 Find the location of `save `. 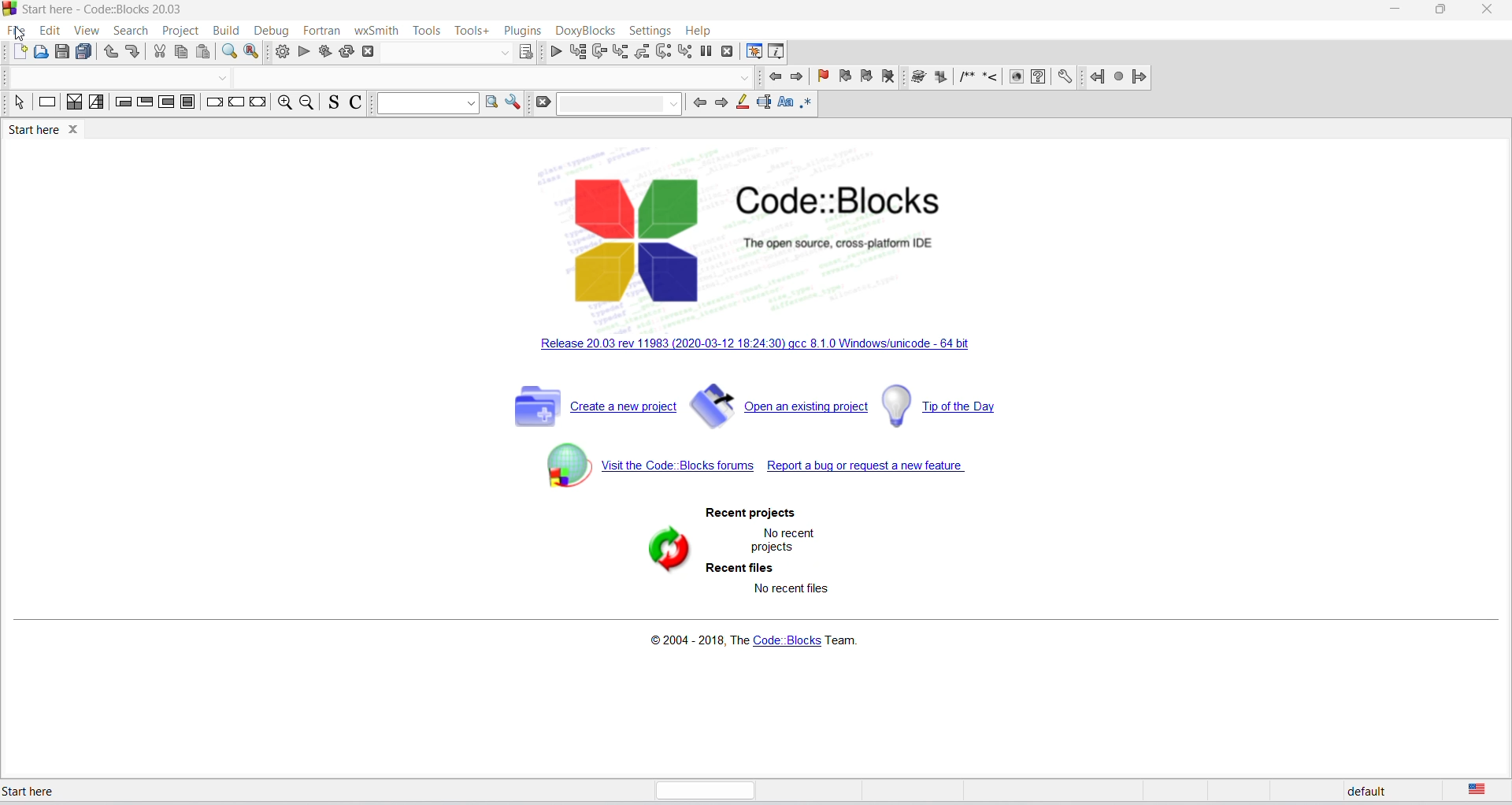

save  is located at coordinates (61, 52).